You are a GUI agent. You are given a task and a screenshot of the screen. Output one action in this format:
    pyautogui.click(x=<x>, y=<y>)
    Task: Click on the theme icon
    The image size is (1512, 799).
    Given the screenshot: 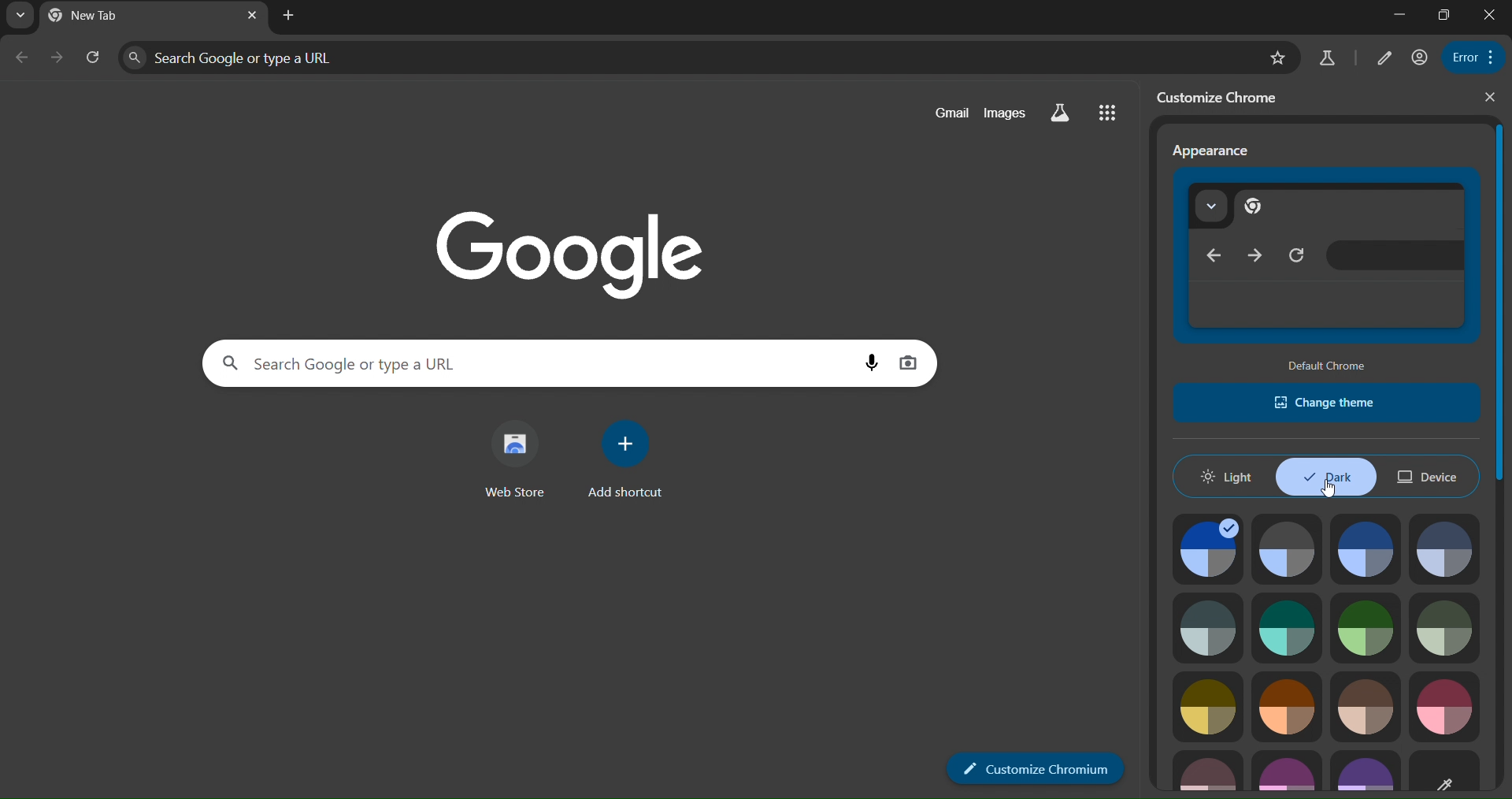 What is the action you would take?
    pyautogui.click(x=1209, y=704)
    